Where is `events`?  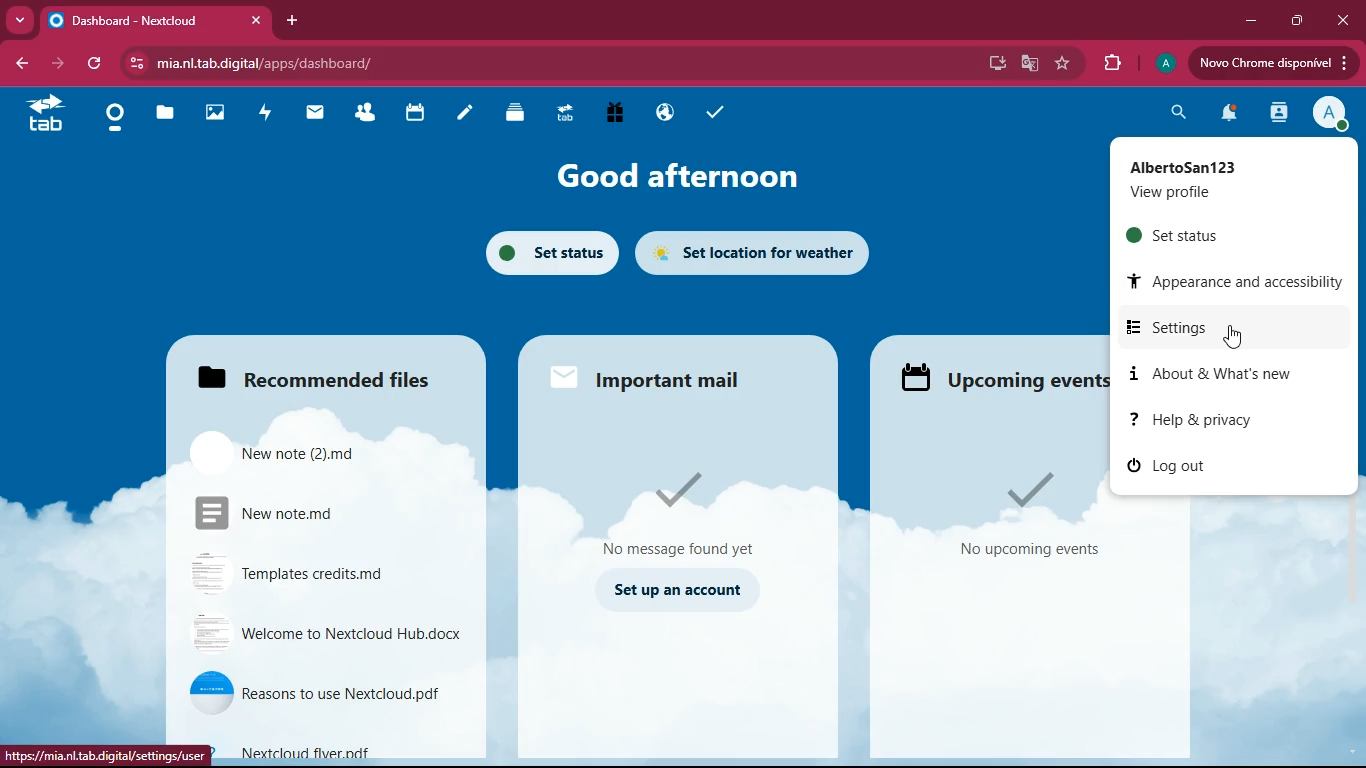 events is located at coordinates (1030, 517).